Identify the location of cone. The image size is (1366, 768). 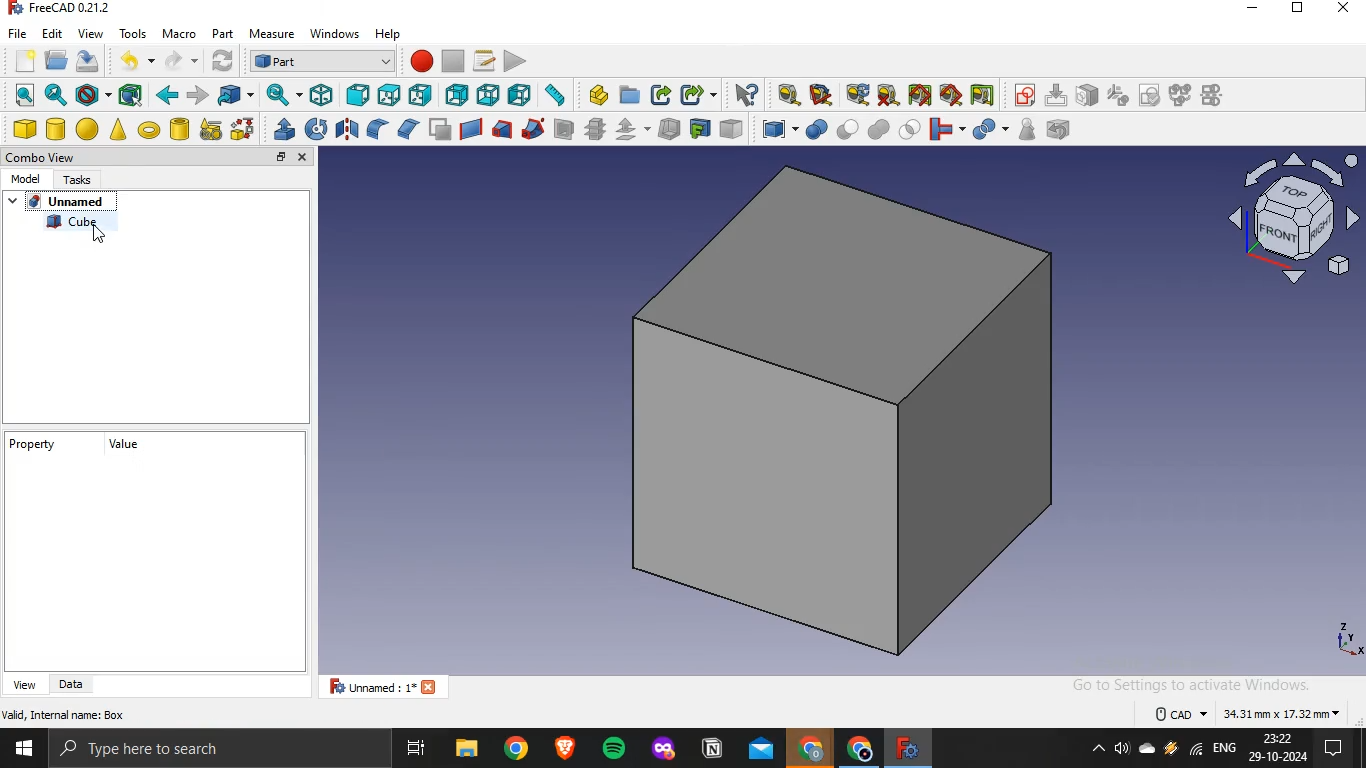
(118, 129).